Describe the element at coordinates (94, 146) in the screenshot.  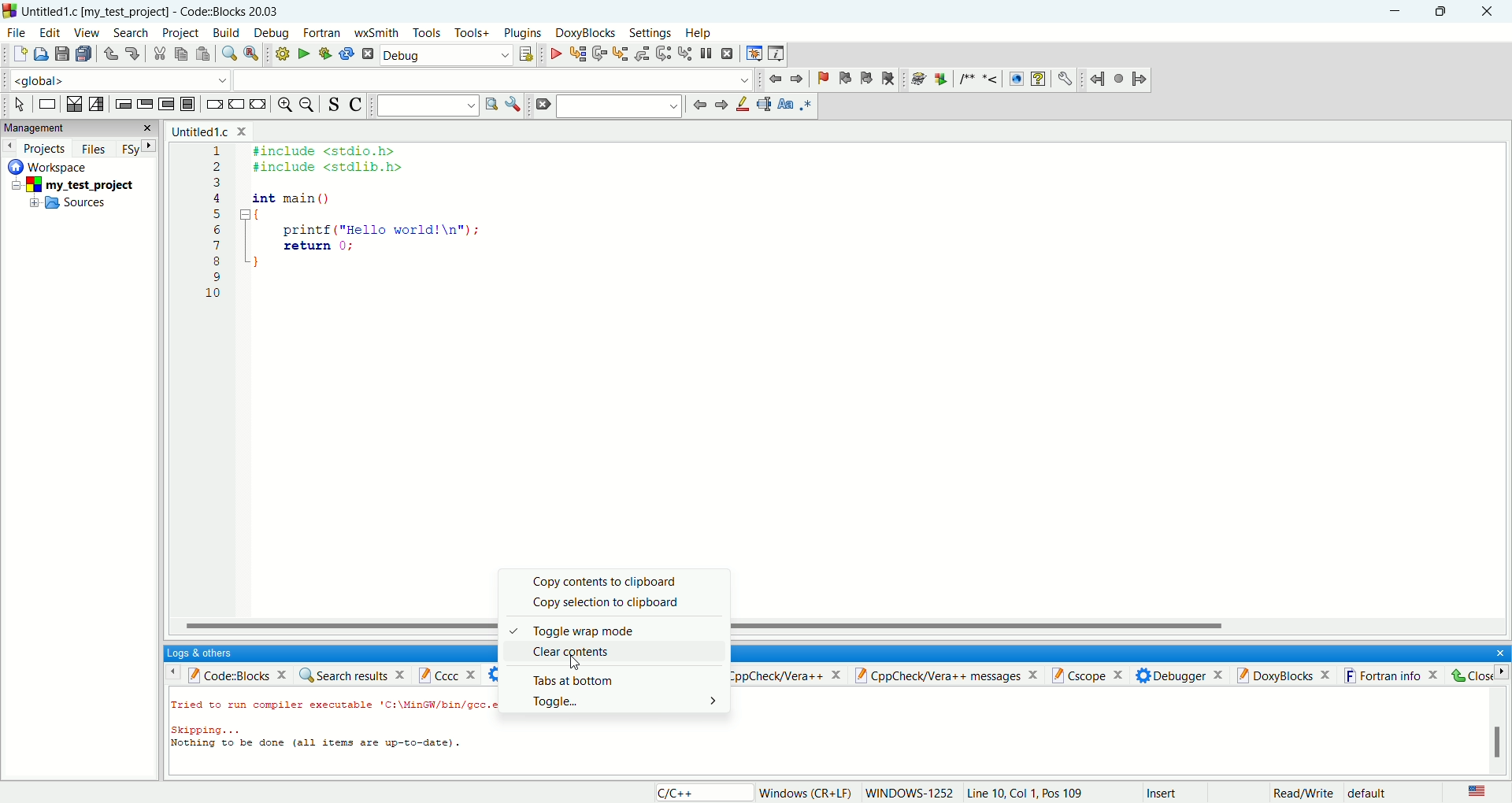
I see `Flies` at that location.